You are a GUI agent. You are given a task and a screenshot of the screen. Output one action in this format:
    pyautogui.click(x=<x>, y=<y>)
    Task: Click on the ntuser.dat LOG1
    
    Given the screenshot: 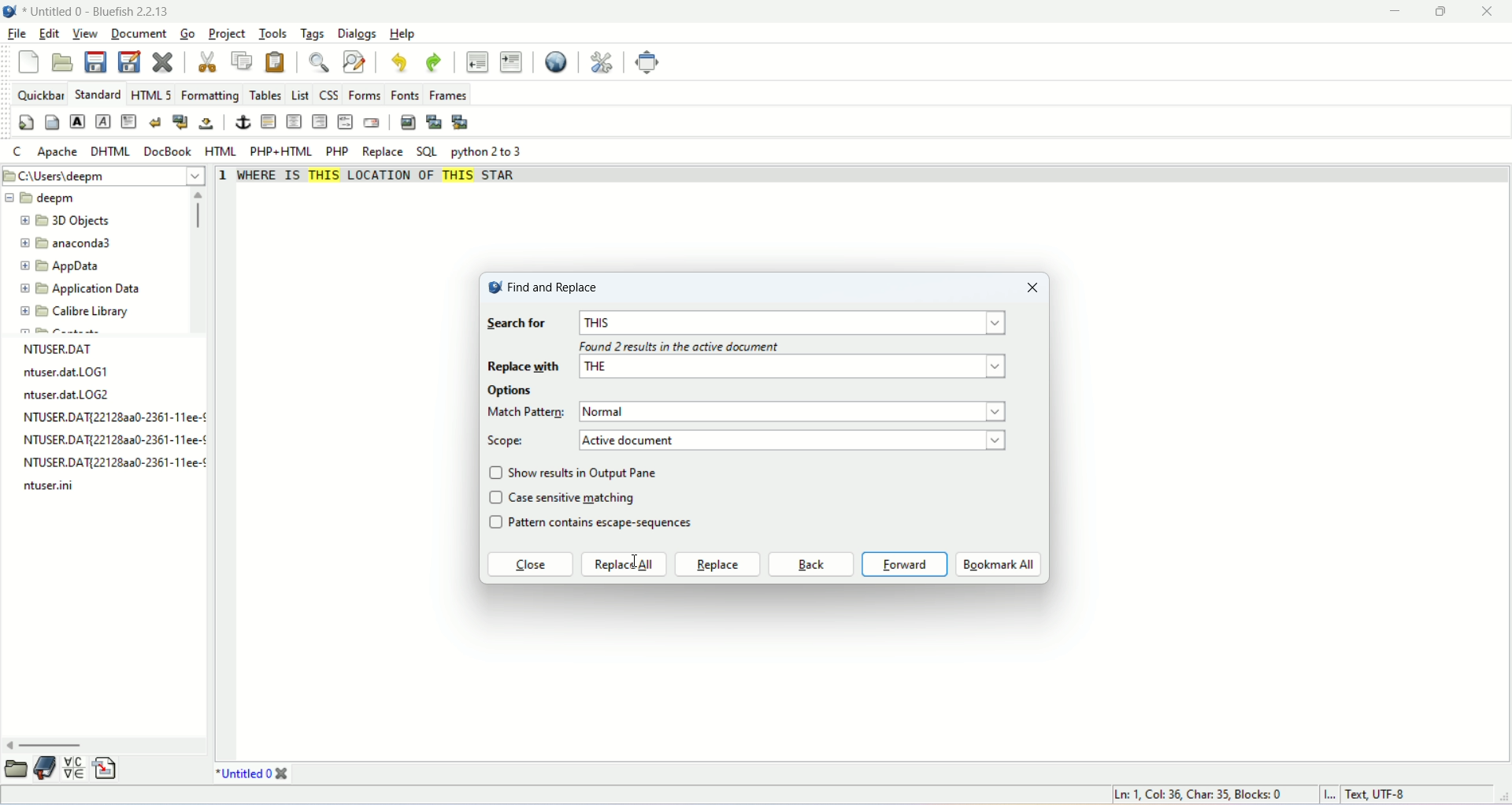 What is the action you would take?
    pyautogui.click(x=64, y=373)
    